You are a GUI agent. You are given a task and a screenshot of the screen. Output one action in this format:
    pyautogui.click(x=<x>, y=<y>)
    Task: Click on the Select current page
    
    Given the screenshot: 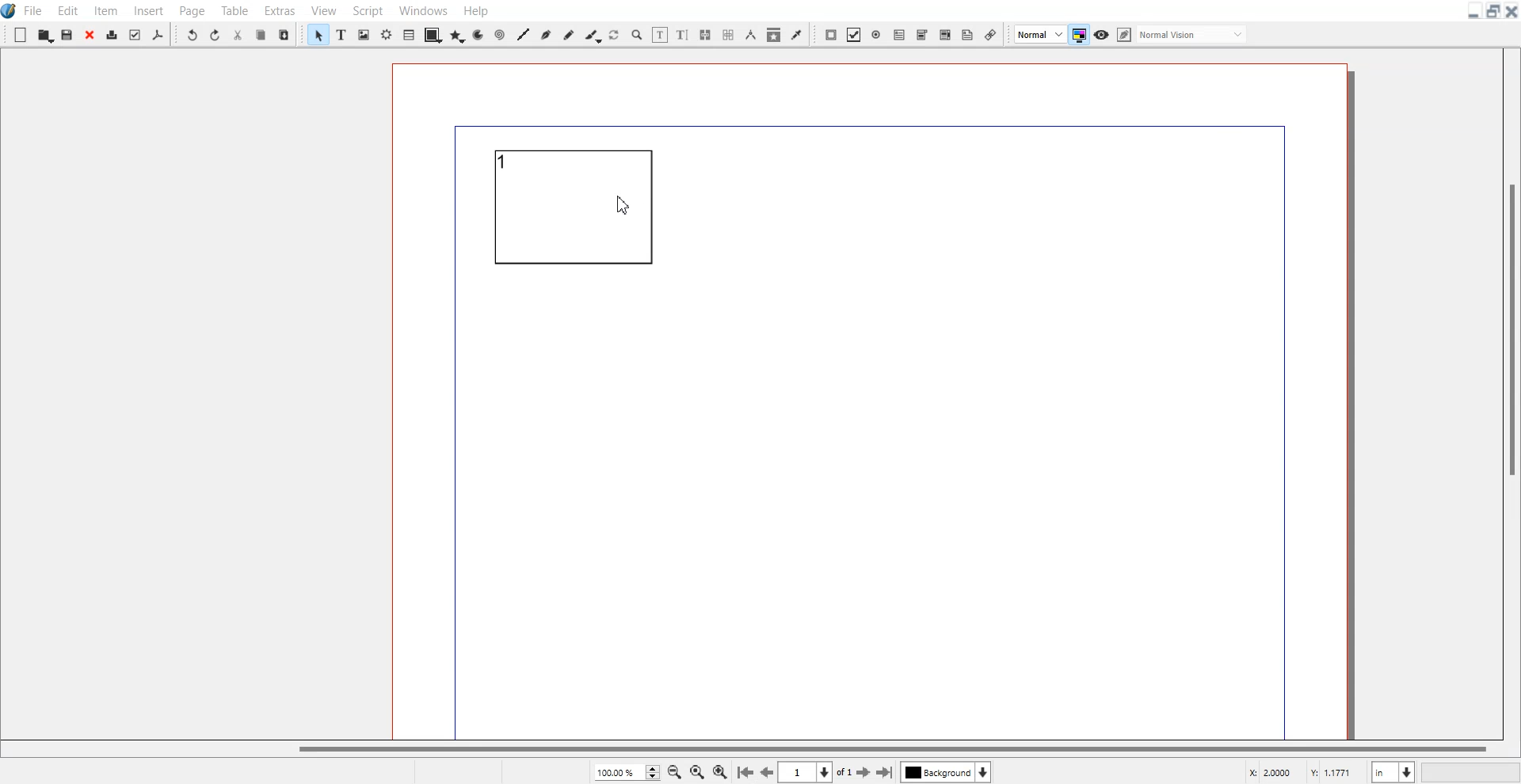 What is the action you would take?
    pyautogui.click(x=814, y=772)
    